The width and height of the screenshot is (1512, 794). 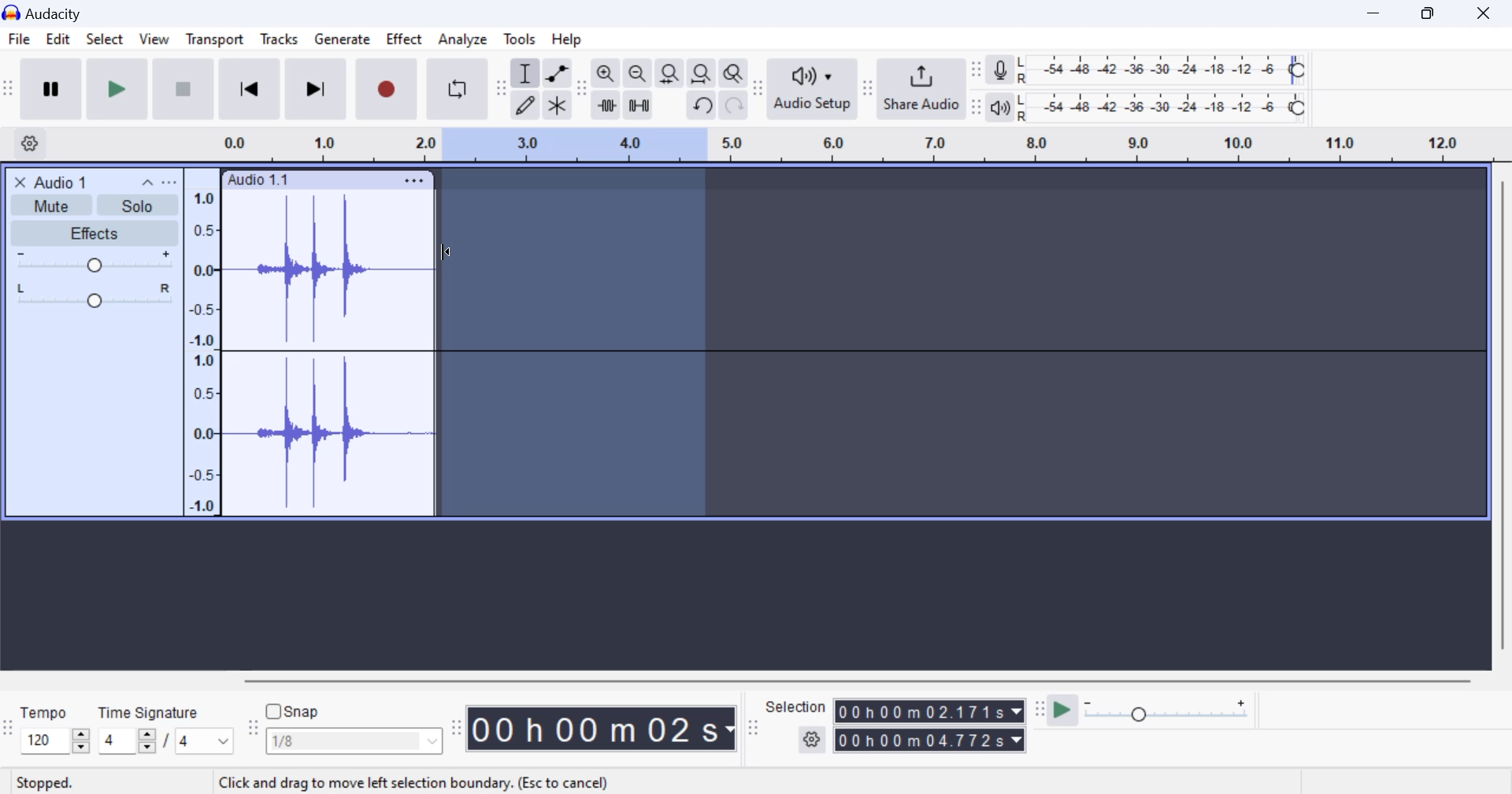 I want to click on Clip Status, so click(x=46, y=784).